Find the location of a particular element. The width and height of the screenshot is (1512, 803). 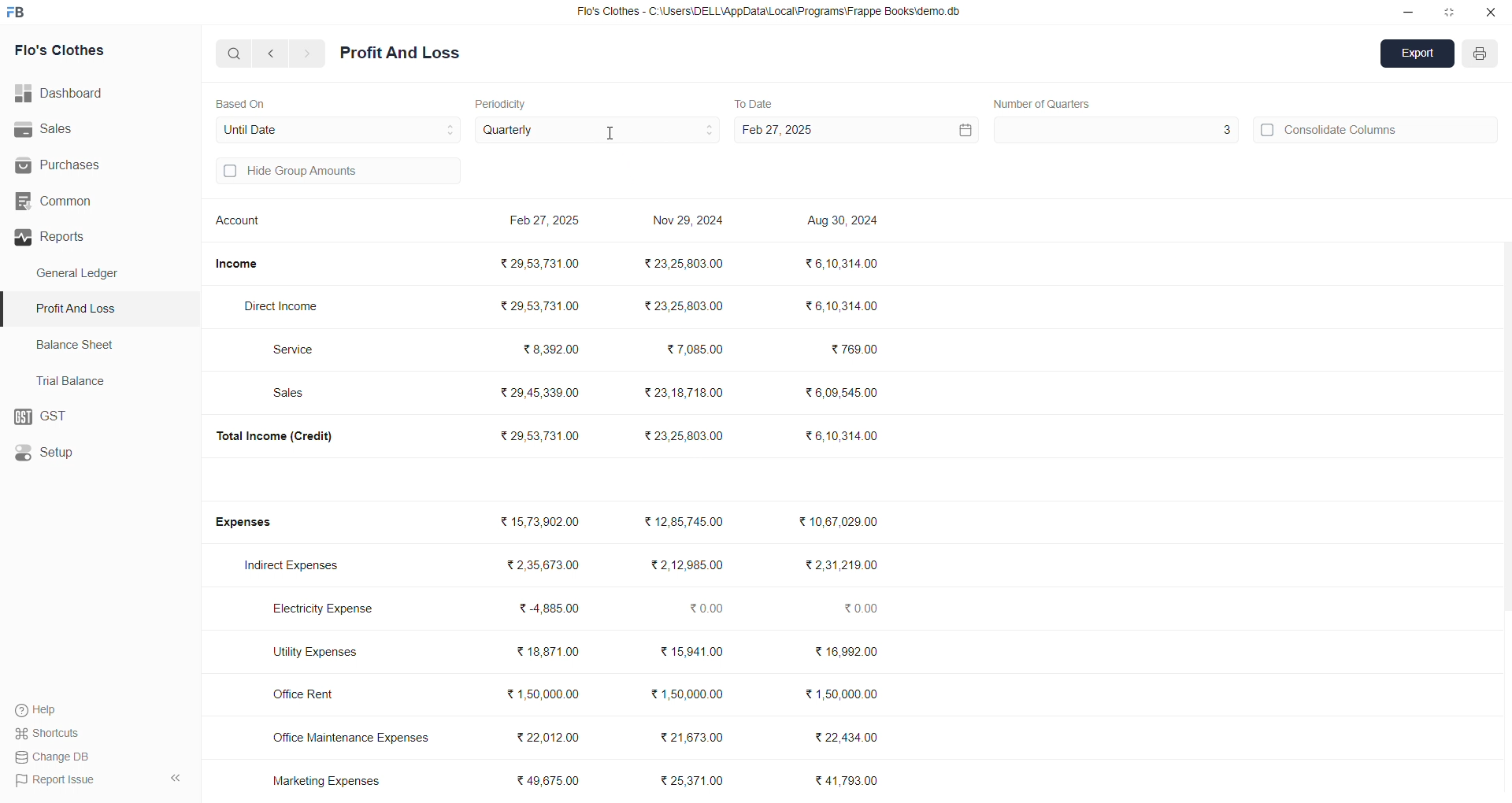

₹8,392.00 is located at coordinates (553, 348).